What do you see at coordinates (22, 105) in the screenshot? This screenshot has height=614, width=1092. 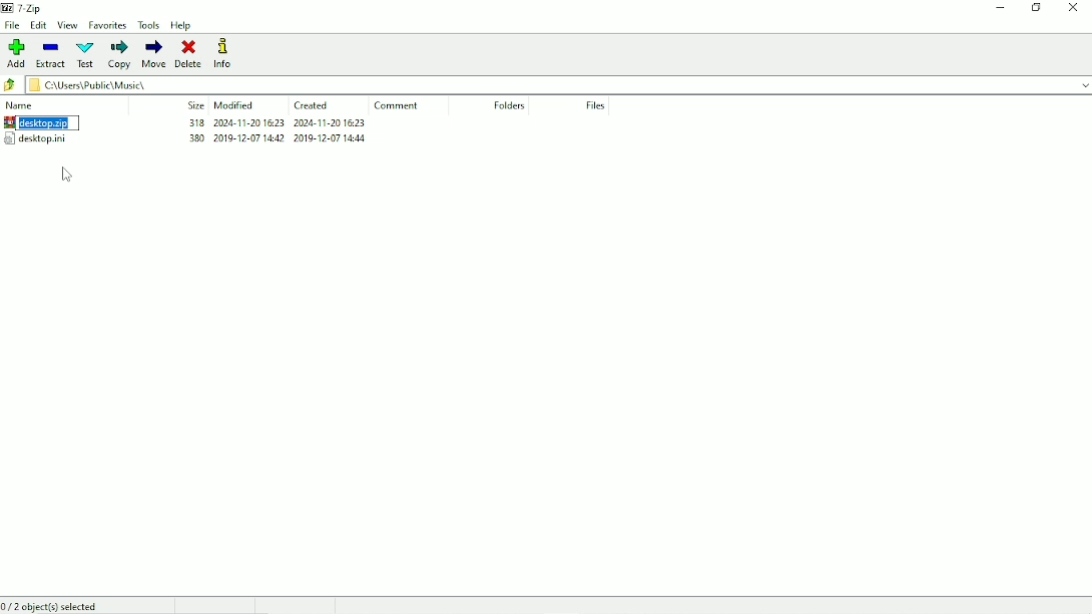 I see `Name` at bounding box center [22, 105].